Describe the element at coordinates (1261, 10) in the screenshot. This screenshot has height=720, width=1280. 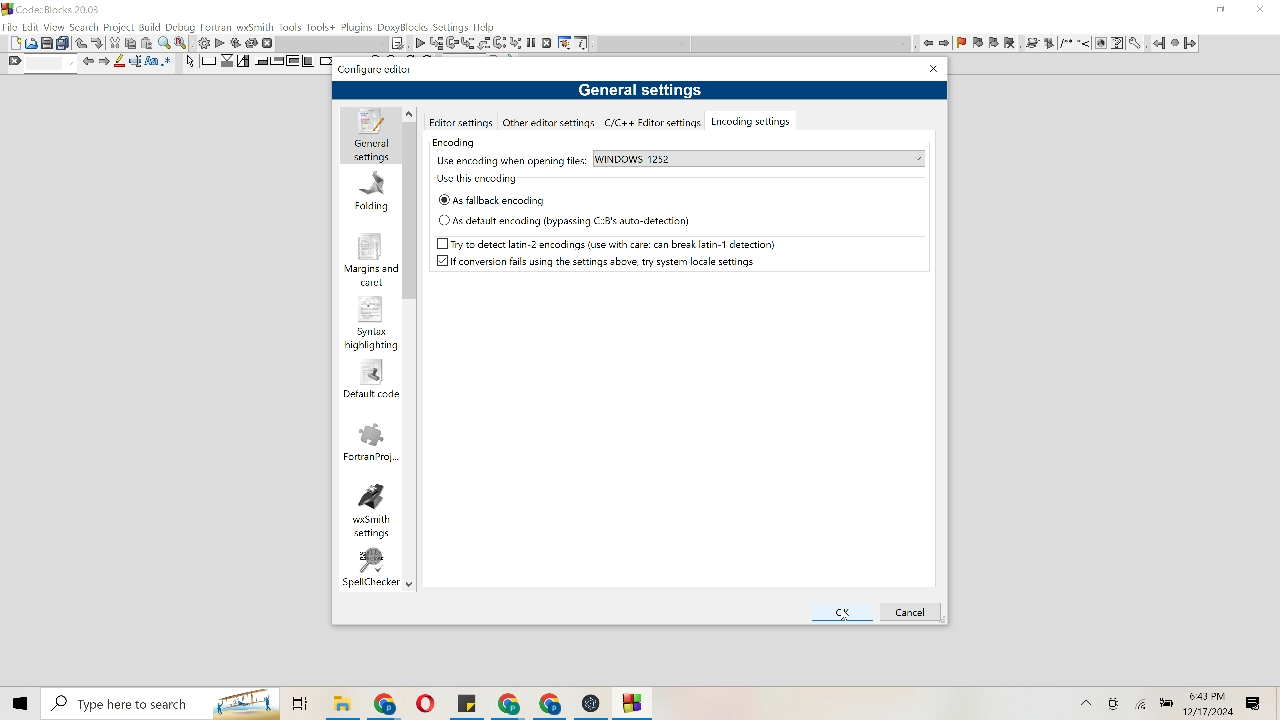
I see `Close` at that location.